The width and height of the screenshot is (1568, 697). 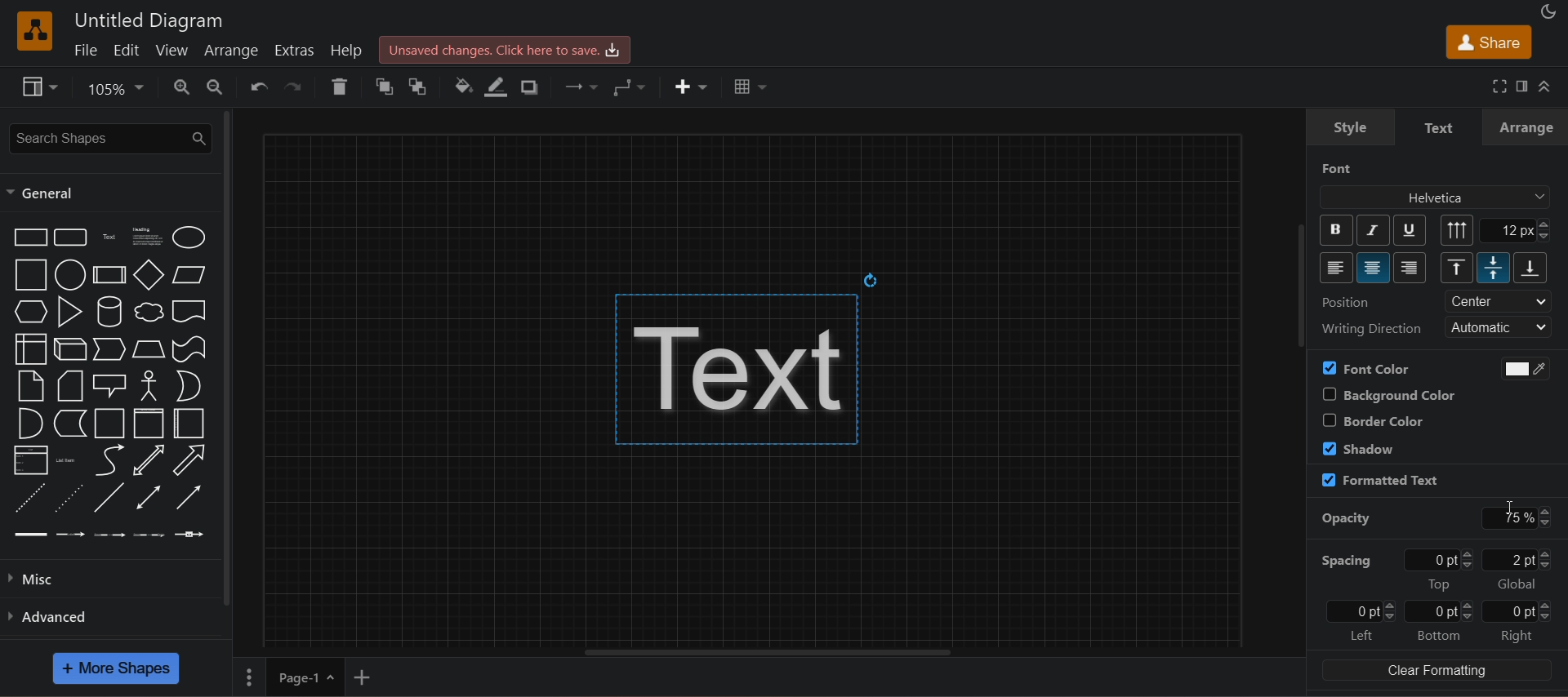 I want to click on curve, so click(x=108, y=460).